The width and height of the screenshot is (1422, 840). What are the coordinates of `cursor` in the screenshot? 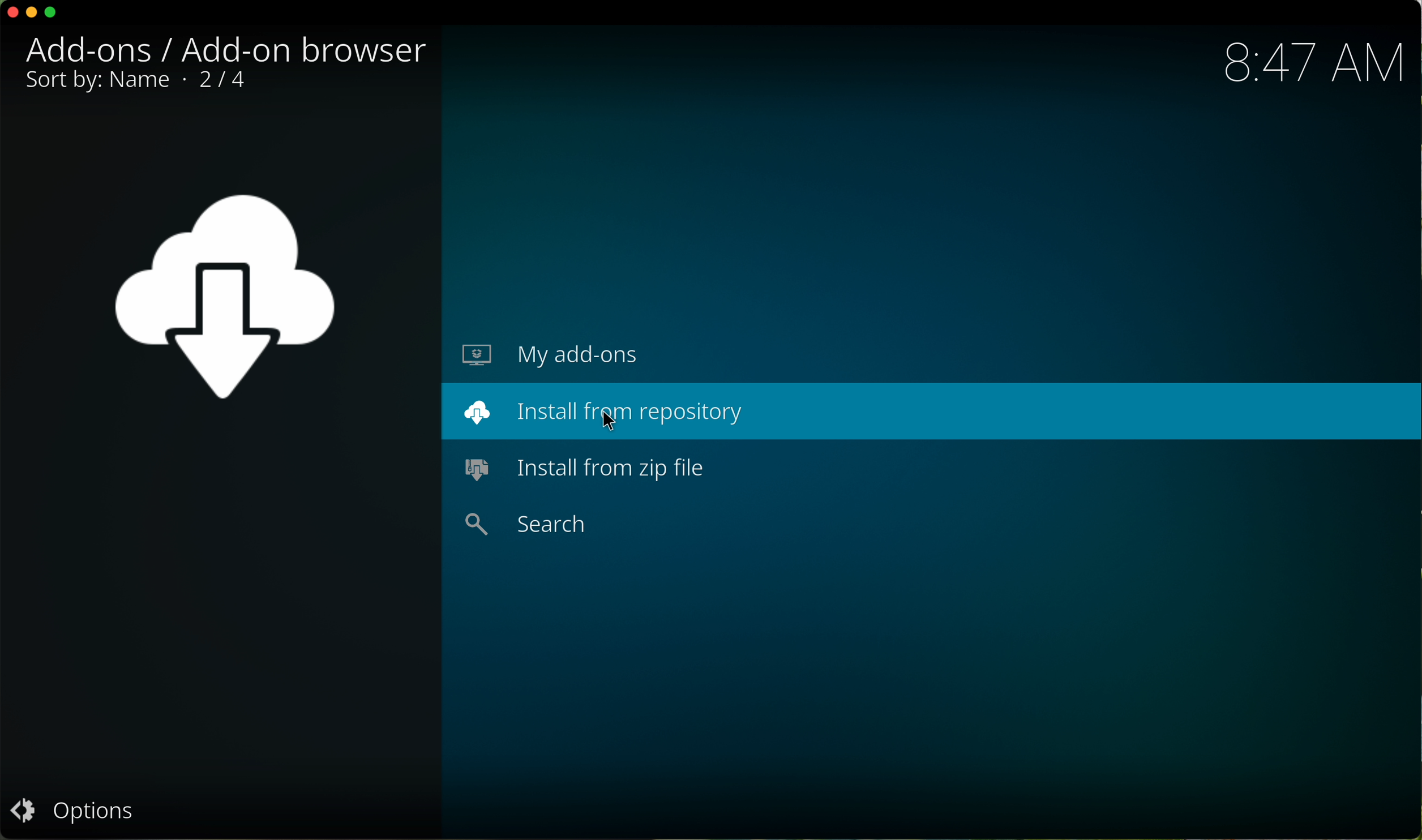 It's located at (616, 417).